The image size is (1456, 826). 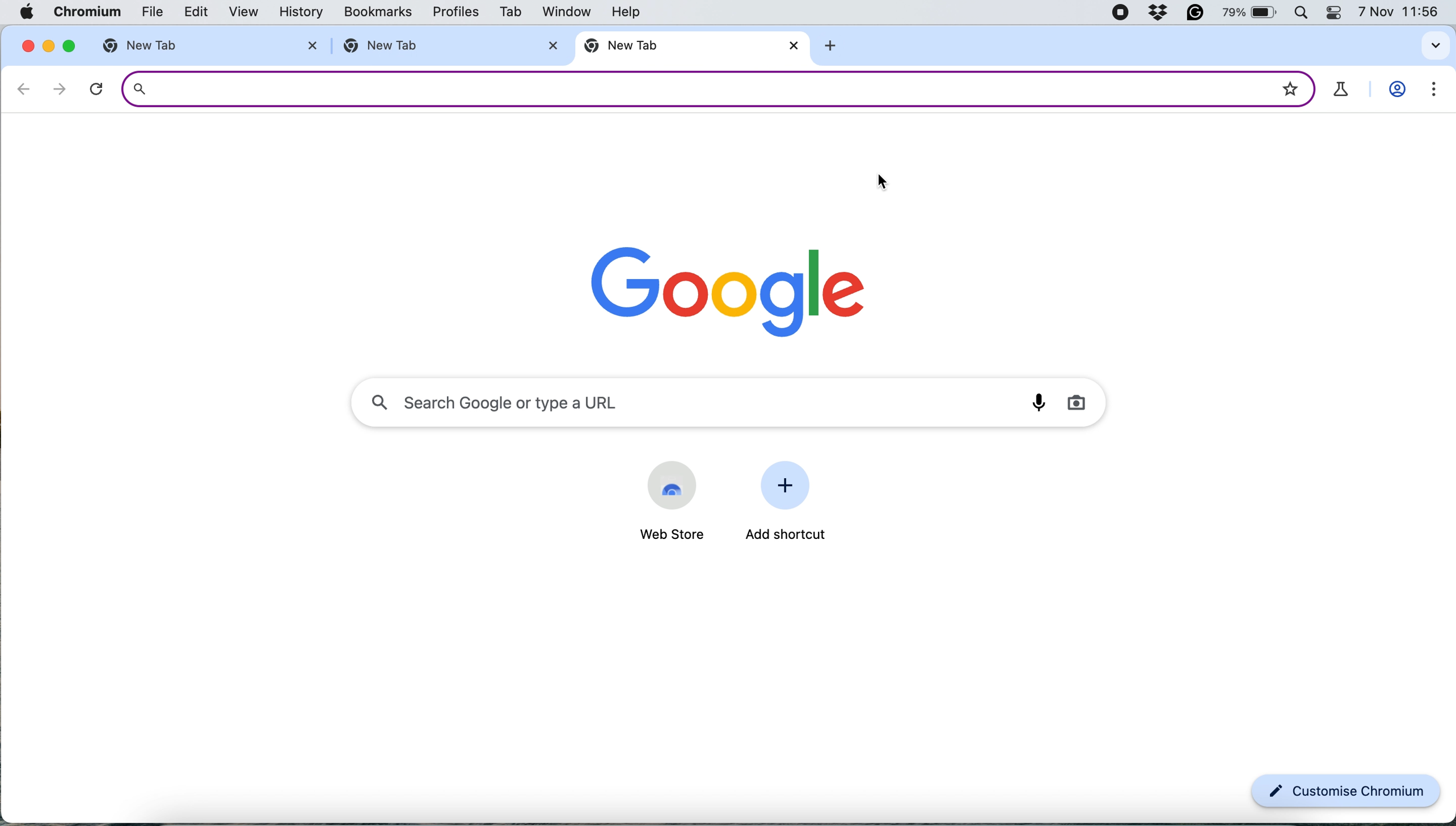 I want to click on chrome labs, so click(x=1342, y=90).